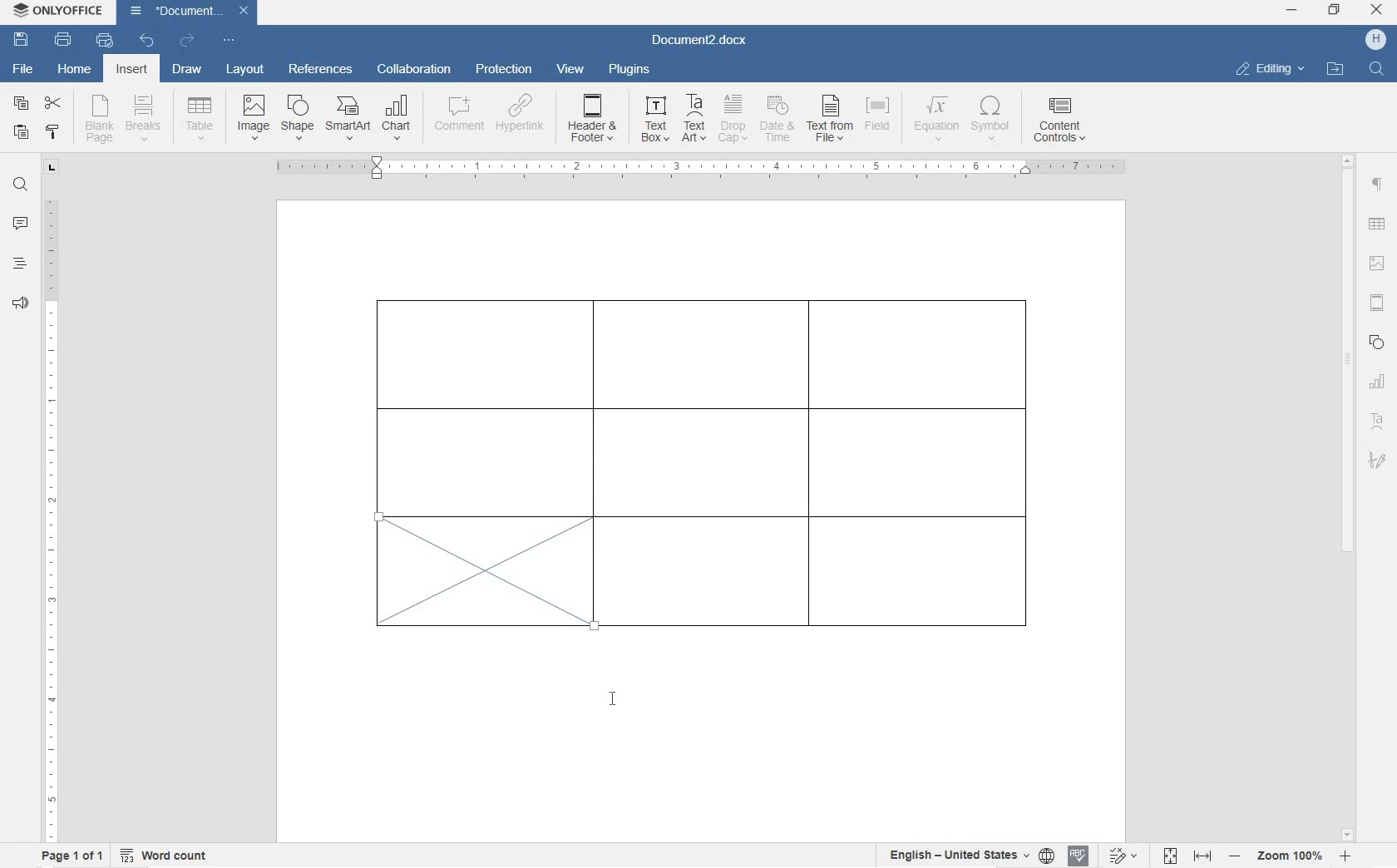  What do you see at coordinates (881, 121) in the screenshot?
I see `FIELD` at bounding box center [881, 121].